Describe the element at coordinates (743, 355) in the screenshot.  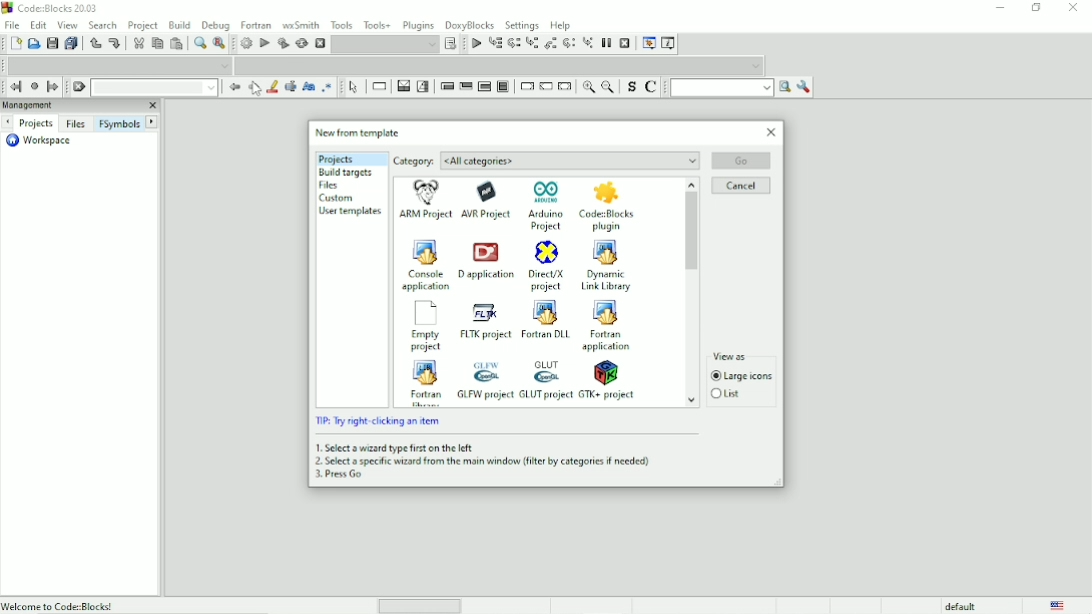
I see `View as` at that location.